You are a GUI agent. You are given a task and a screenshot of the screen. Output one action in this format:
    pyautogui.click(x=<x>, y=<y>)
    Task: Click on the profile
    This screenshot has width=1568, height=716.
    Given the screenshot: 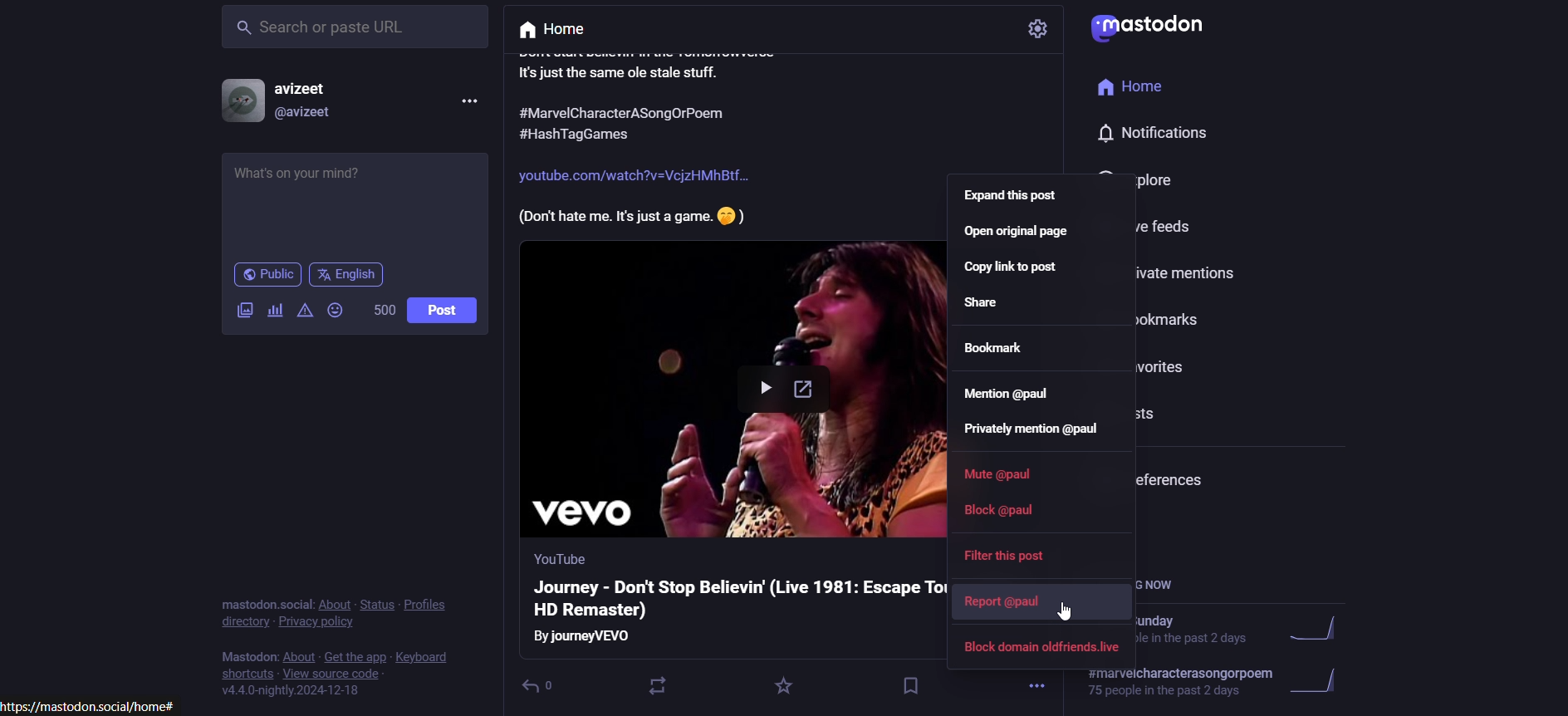 What is the action you would take?
    pyautogui.click(x=441, y=606)
    